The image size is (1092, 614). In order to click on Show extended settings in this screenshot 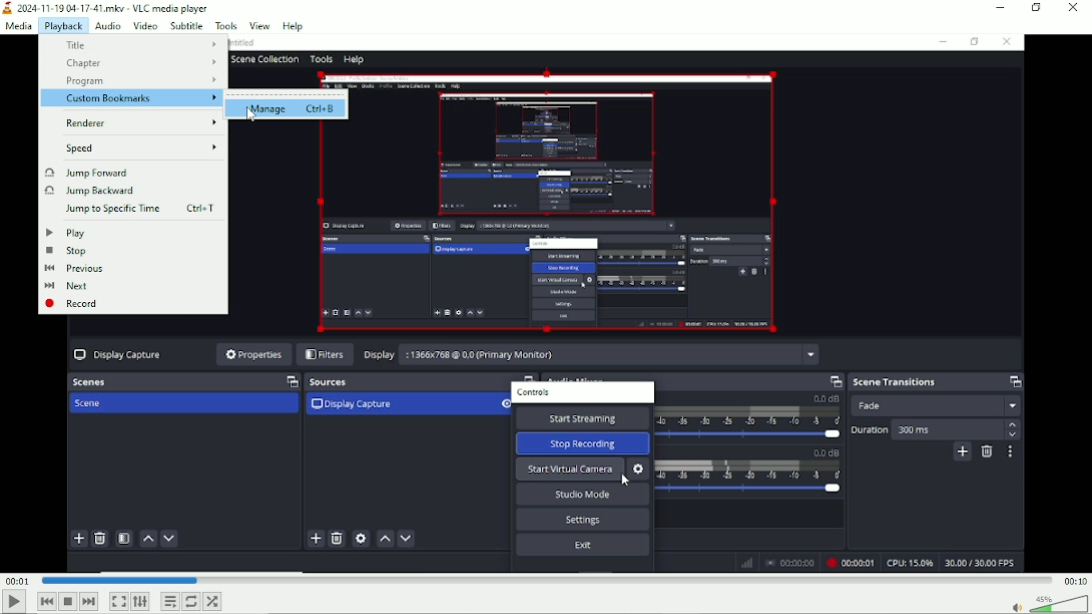, I will do `click(141, 602)`.